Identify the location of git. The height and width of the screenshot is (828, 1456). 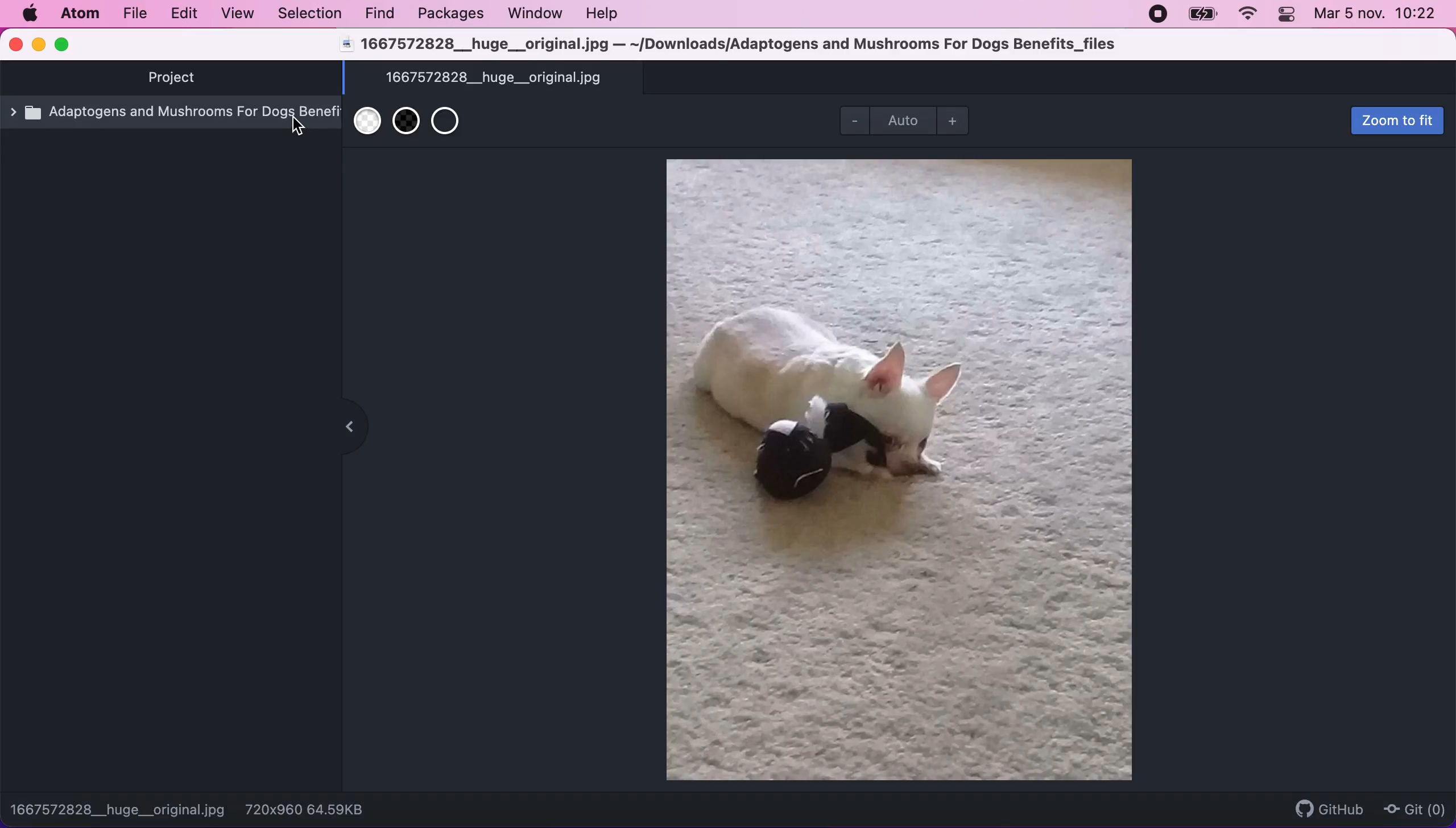
(1418, 808).